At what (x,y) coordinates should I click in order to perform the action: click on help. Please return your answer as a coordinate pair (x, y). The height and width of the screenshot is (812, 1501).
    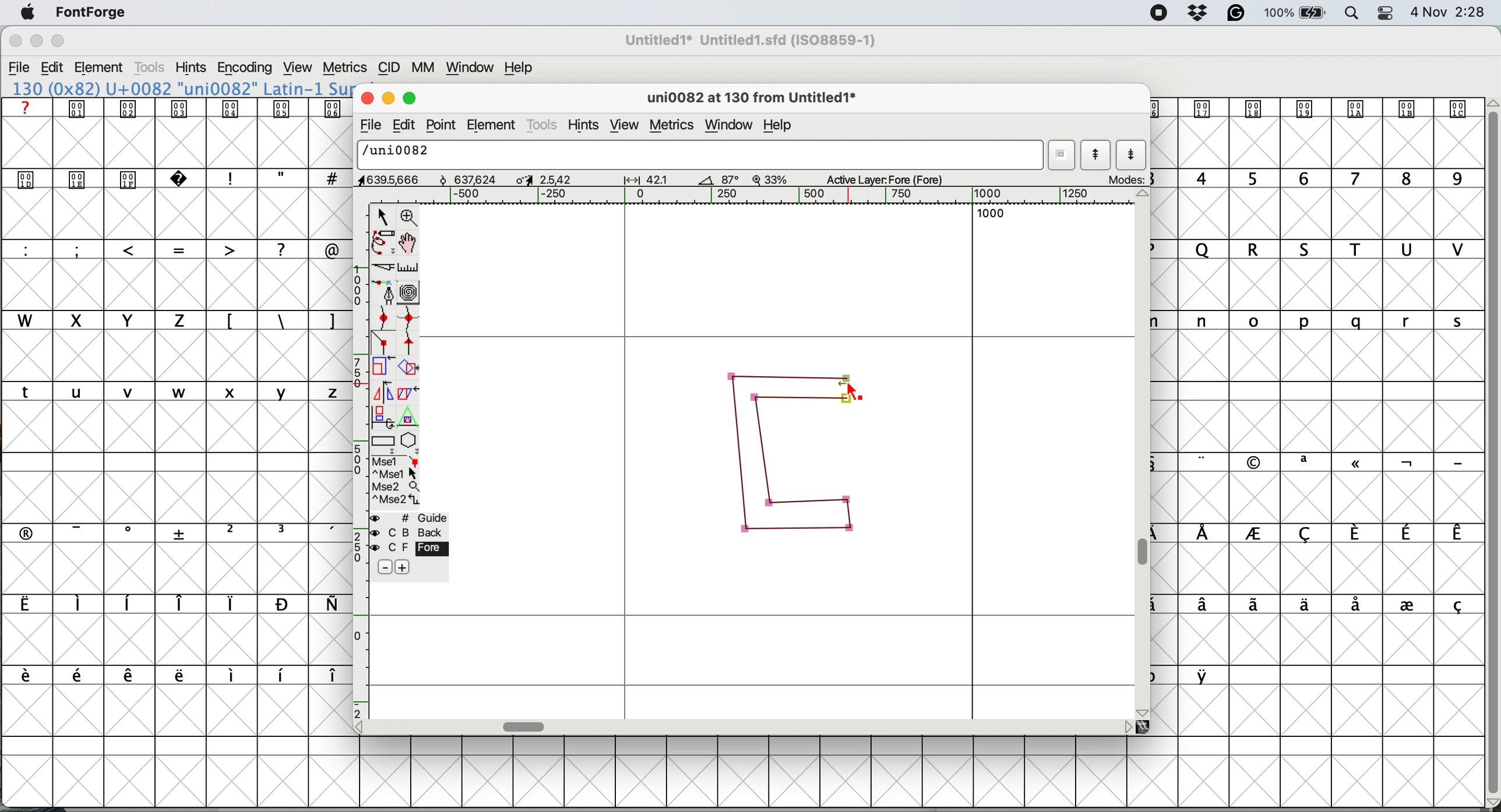
    Looking at the image, I should click on (781, 127).